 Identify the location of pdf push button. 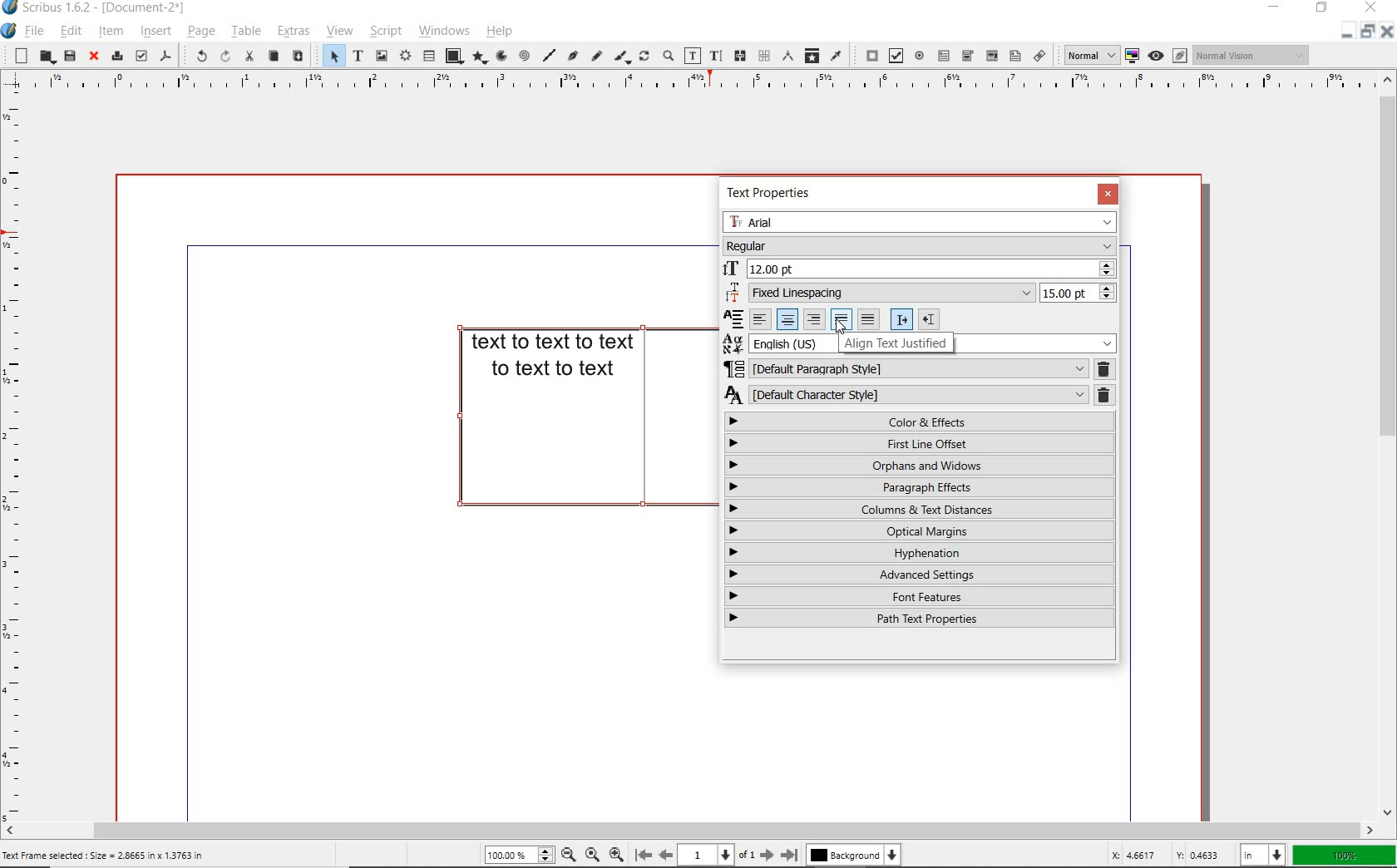
(866, 55).